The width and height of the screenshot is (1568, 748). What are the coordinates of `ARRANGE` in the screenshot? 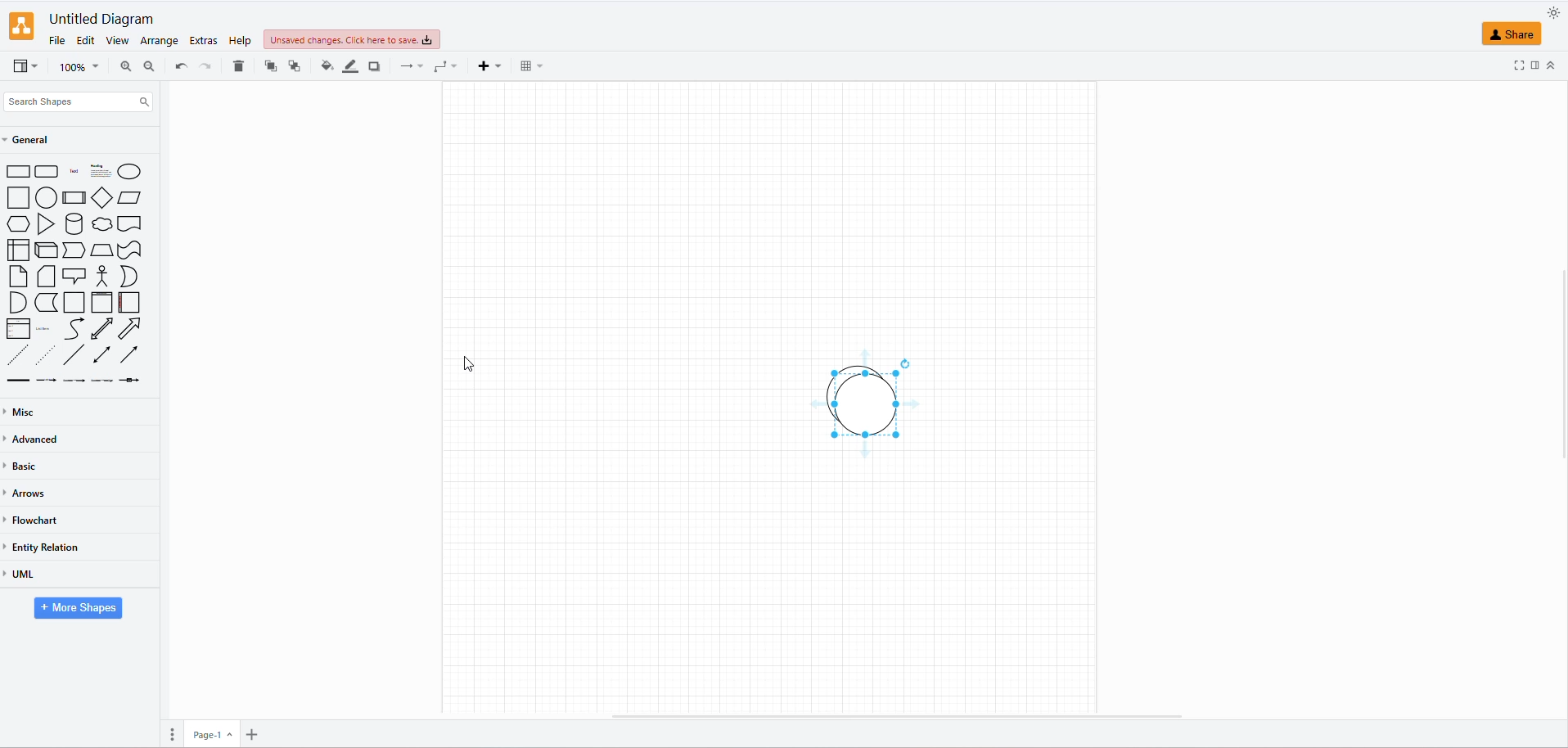 It's located at (158, 43).